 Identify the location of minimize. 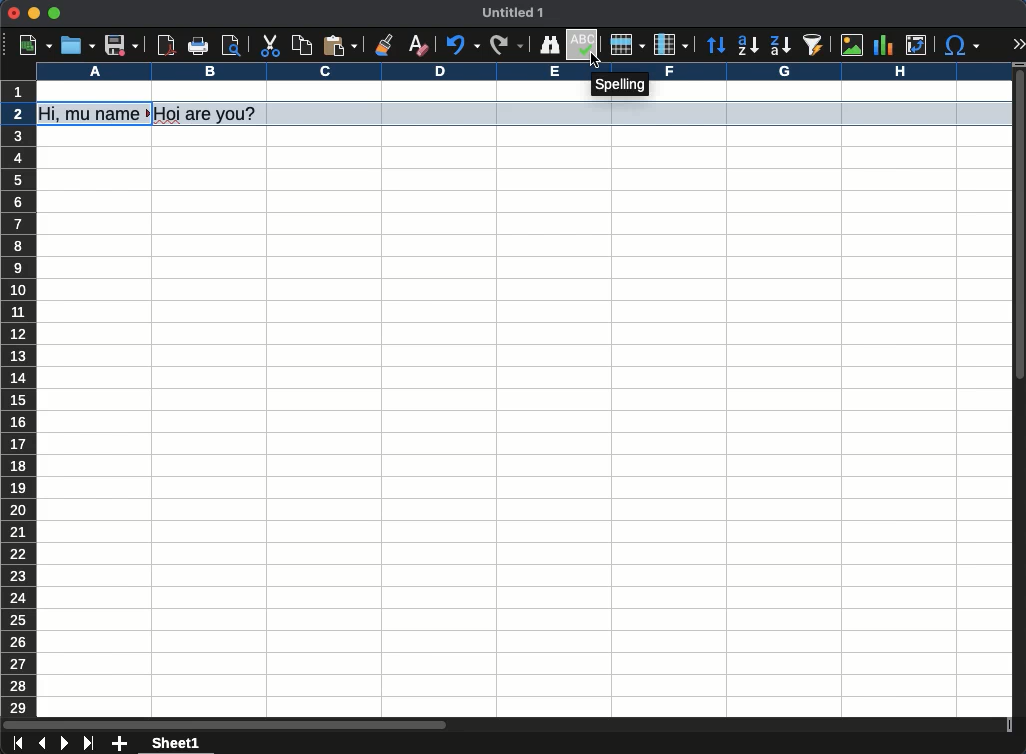
(33, 13).